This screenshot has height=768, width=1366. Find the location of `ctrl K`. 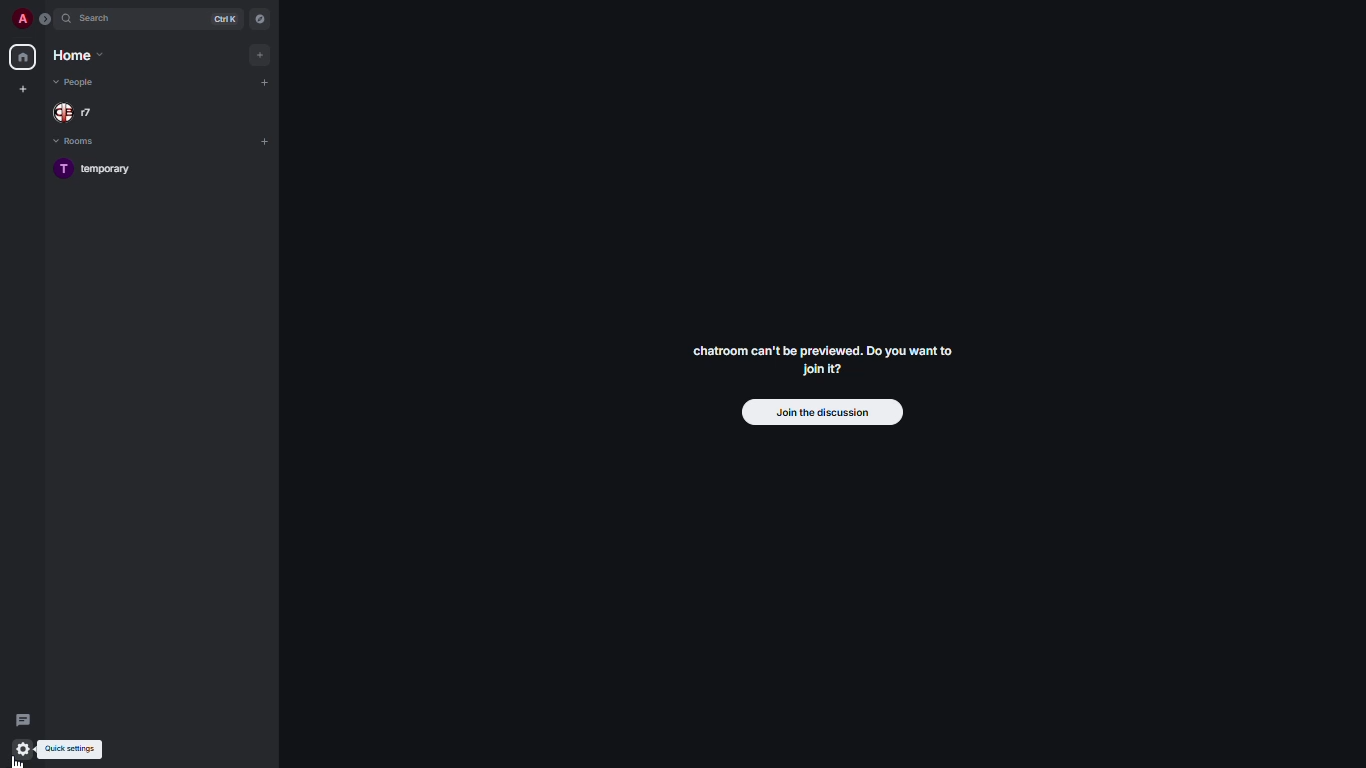

ctrl K is located at coordinates (227, 18).